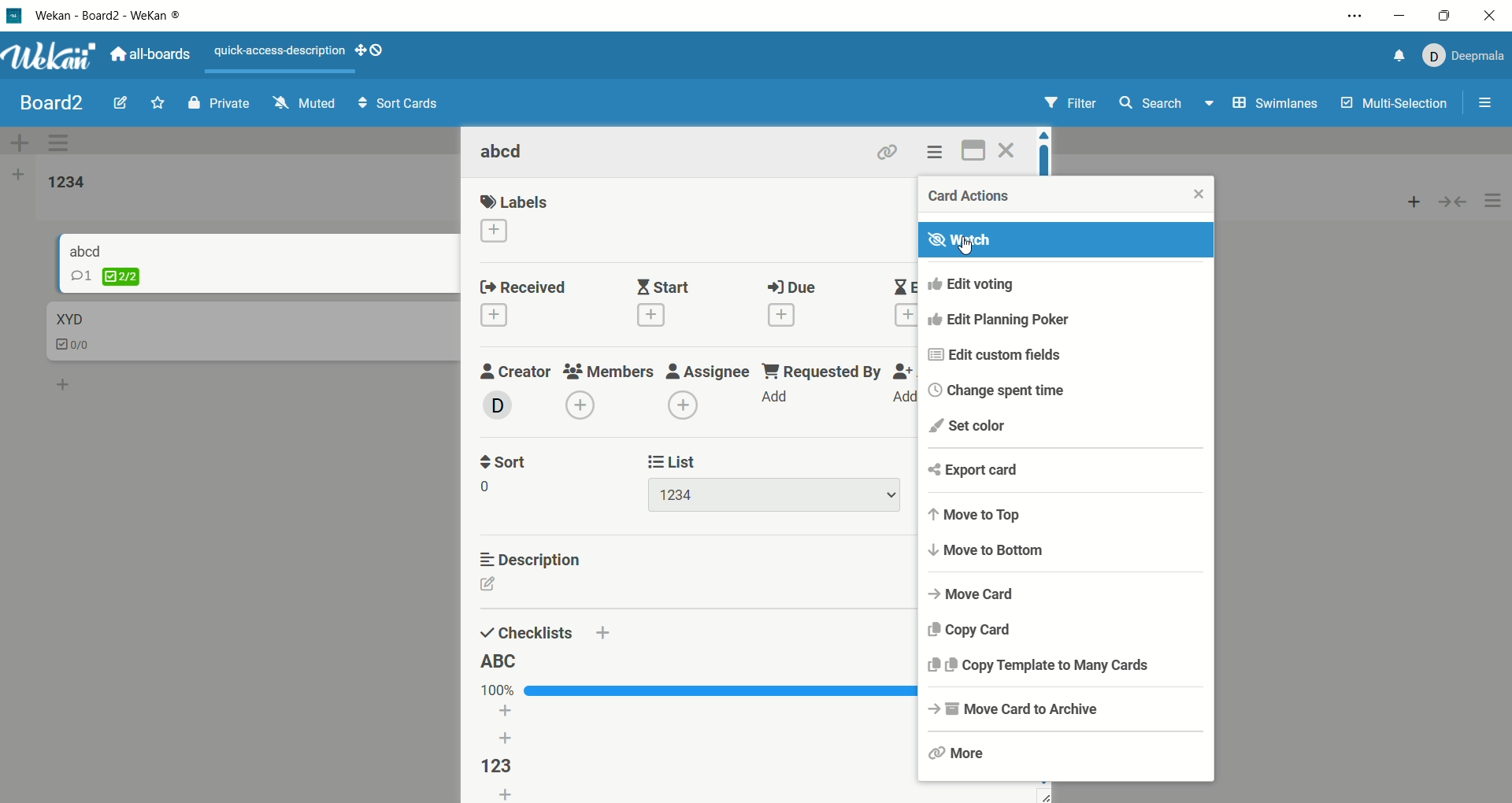 This screenshot has width=1512, height=803. I want to click on favorite, so click(157, 98).